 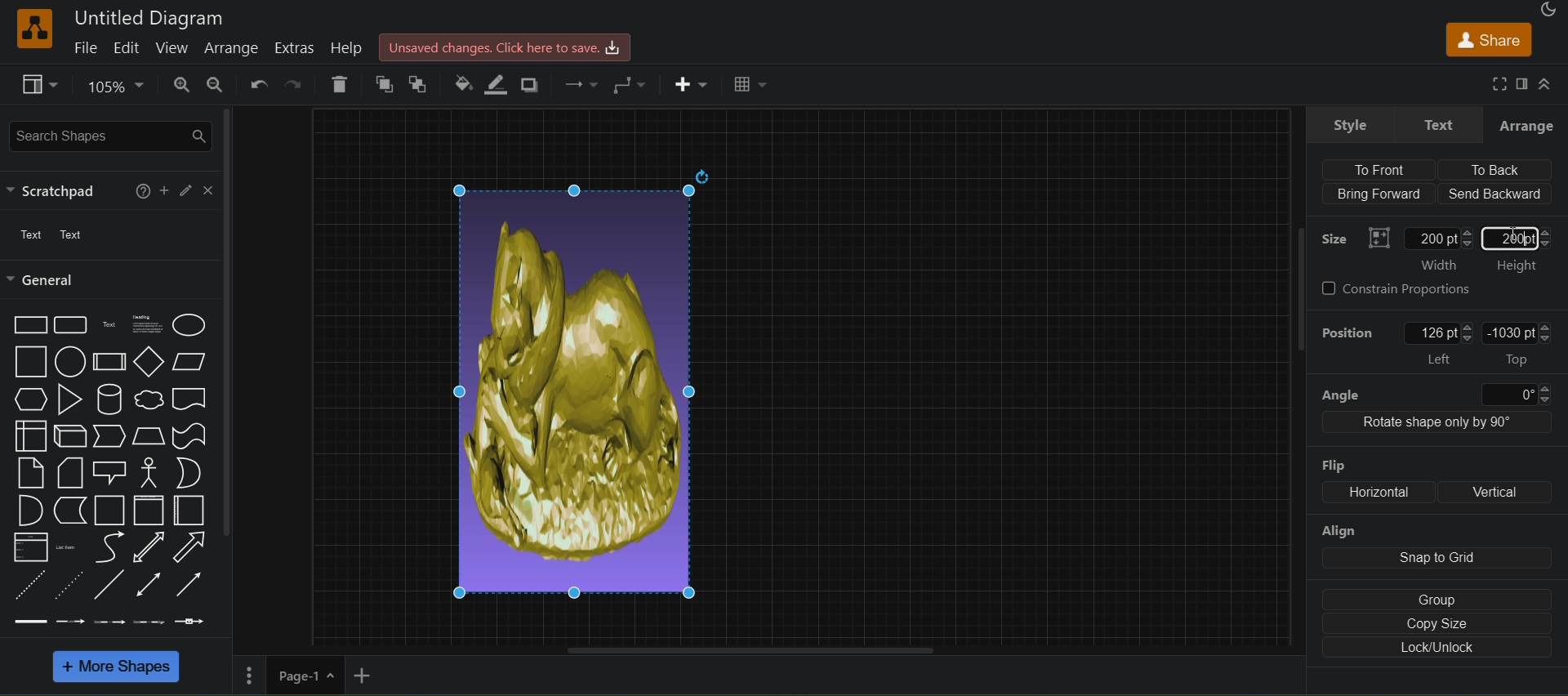 I want to click on zoom in, so click(x=177, y=85).